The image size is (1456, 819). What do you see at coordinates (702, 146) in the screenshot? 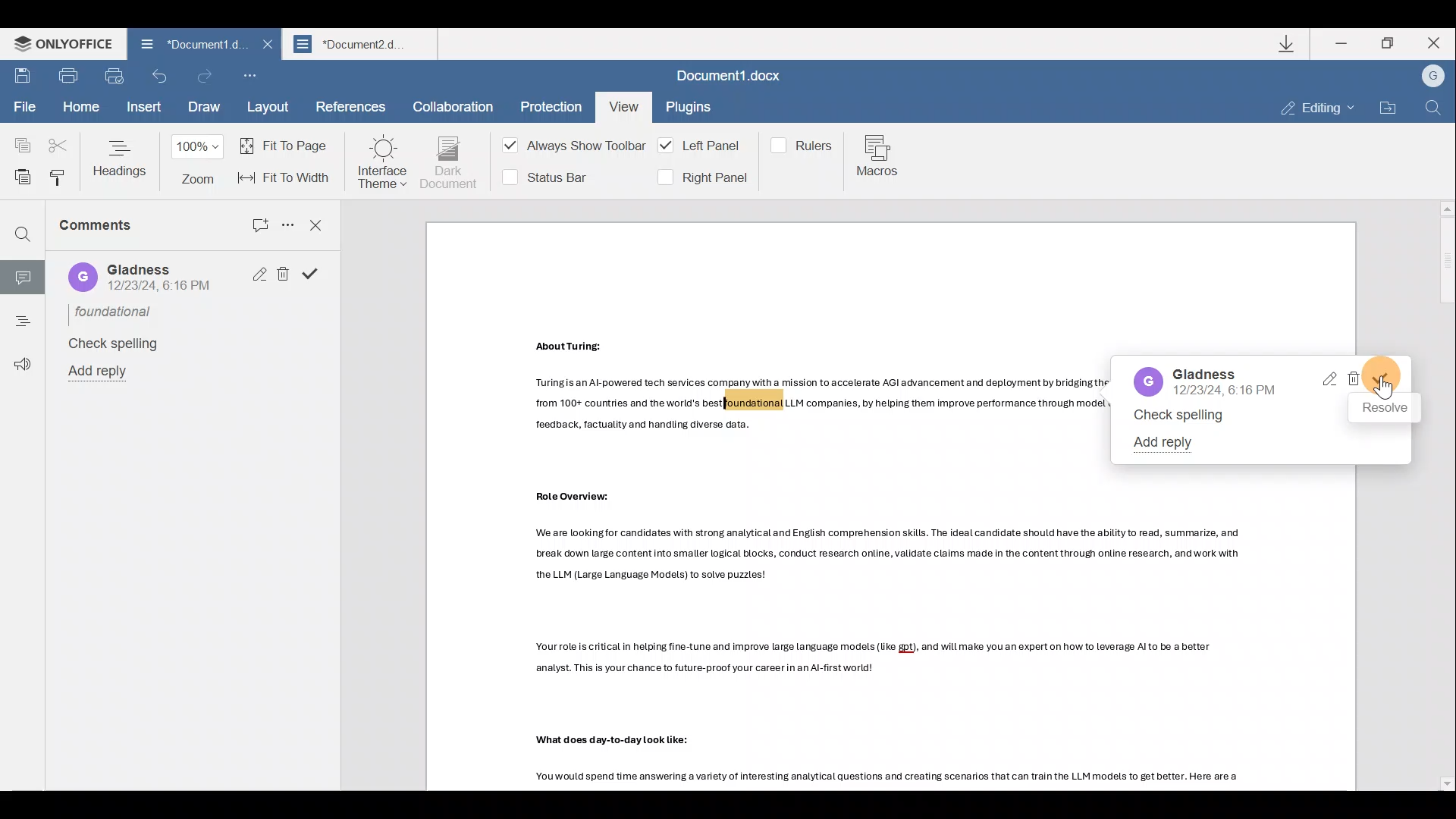
I see `Left panel` at bounding box center [702, 146].